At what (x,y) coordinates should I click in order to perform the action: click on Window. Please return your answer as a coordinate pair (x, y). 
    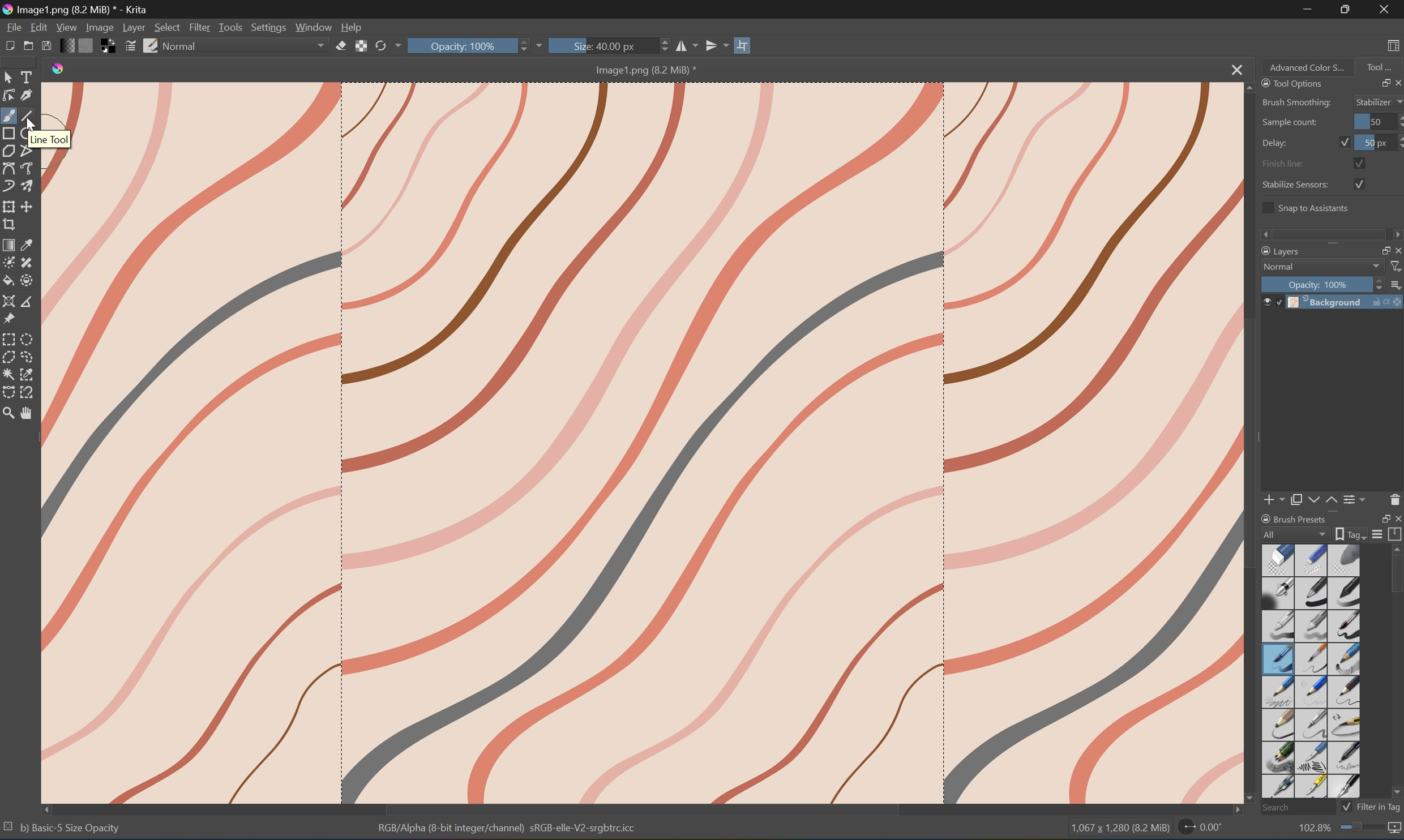
    Looking at the image, I should click on (315, 28).